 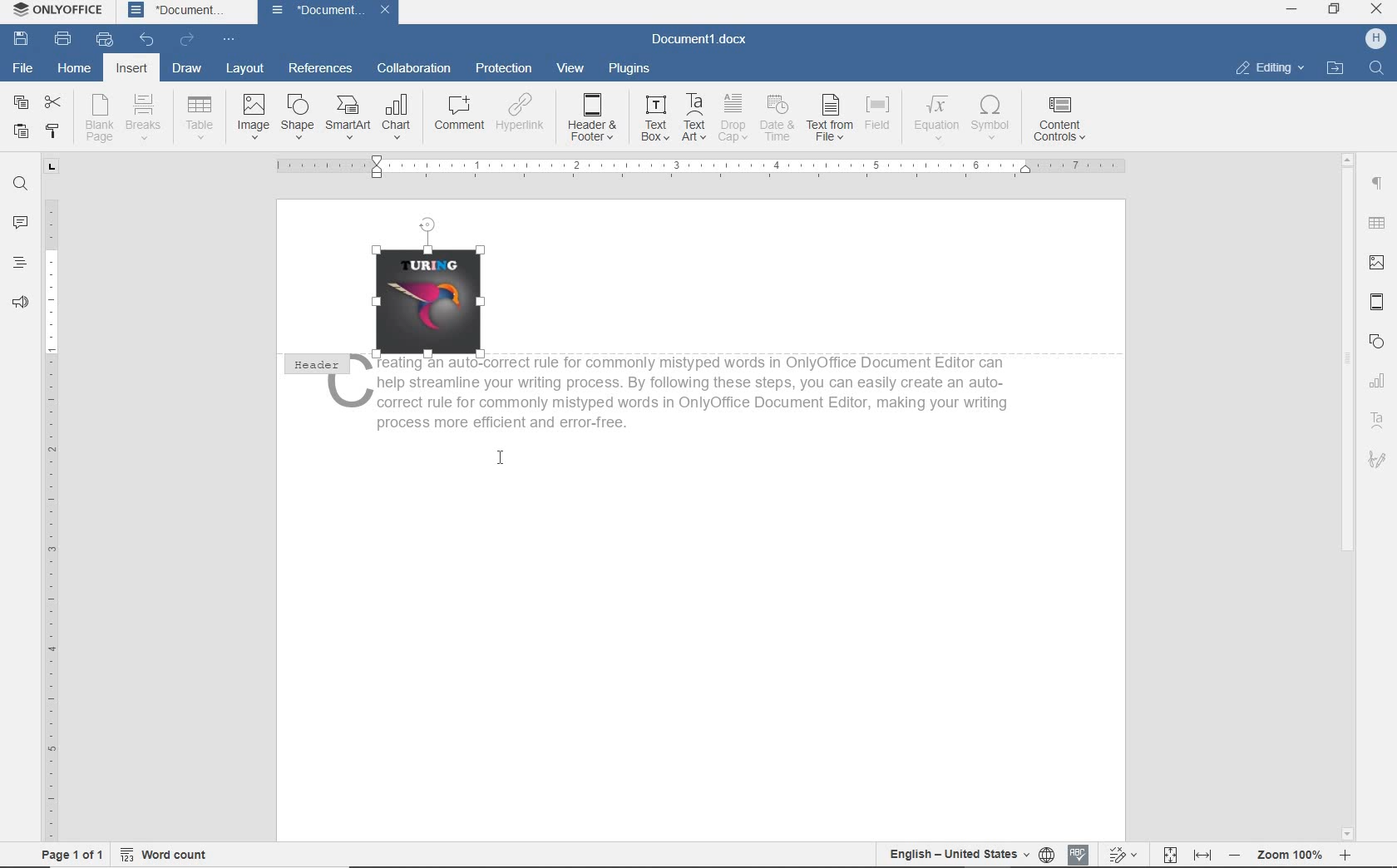 I want to click on English — United States + ({[), so click(x=960, y=855).